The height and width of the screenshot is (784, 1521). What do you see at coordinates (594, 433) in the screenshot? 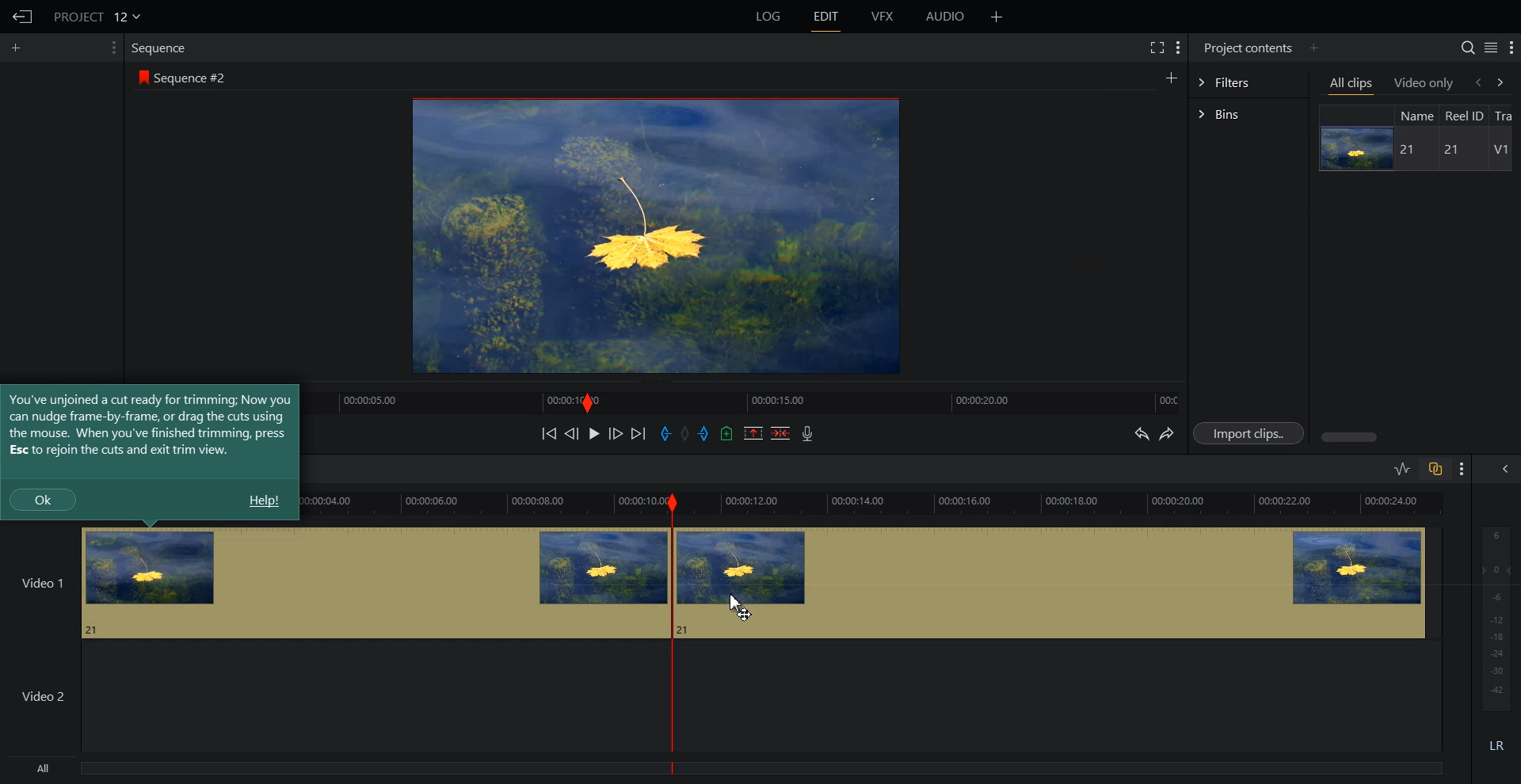
I see `Play` at bounding box center [594, 433].